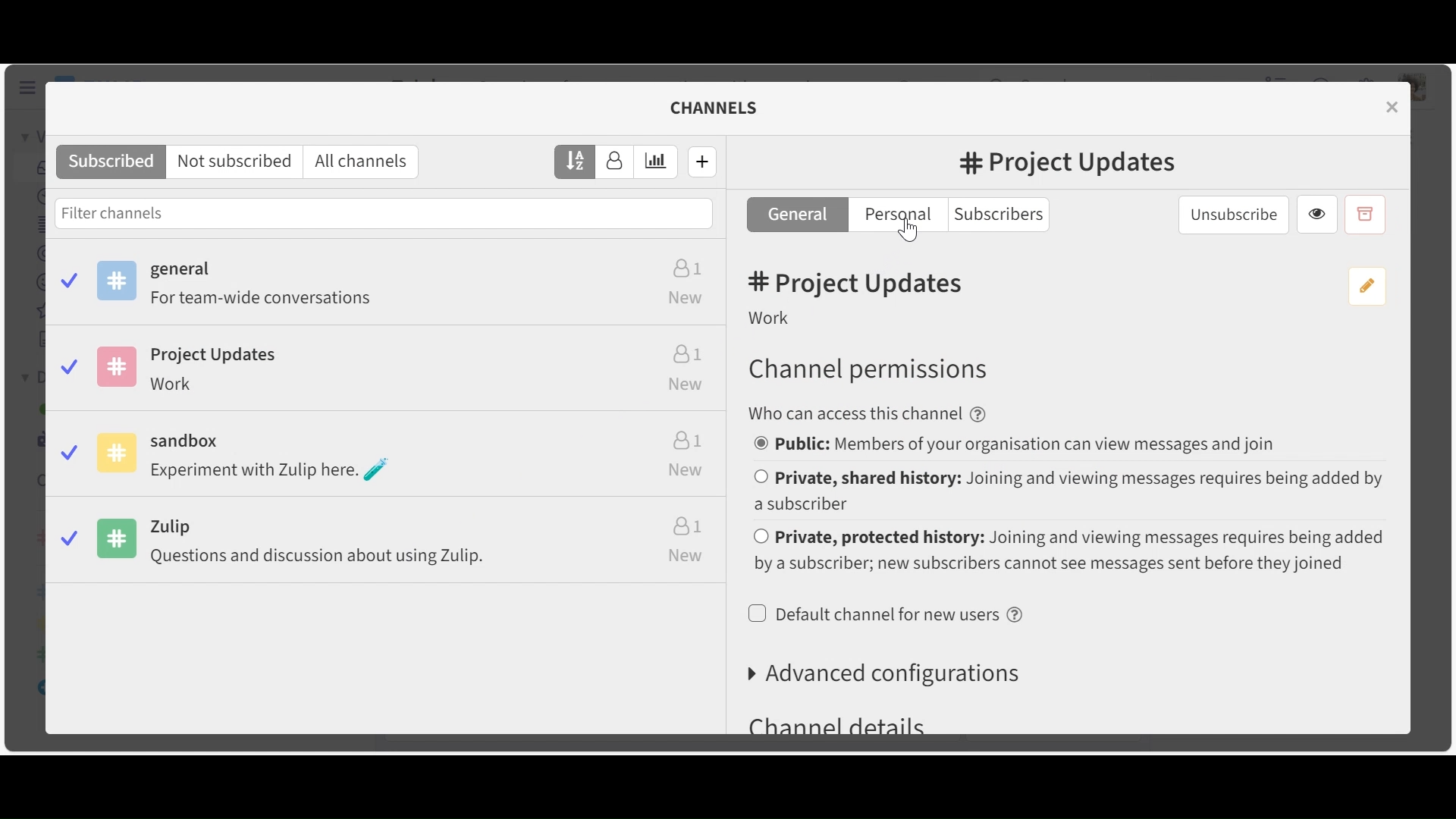 The height and width of the screenshot is (819, 1456). I want to click on Create new channel, so click(703, 161).